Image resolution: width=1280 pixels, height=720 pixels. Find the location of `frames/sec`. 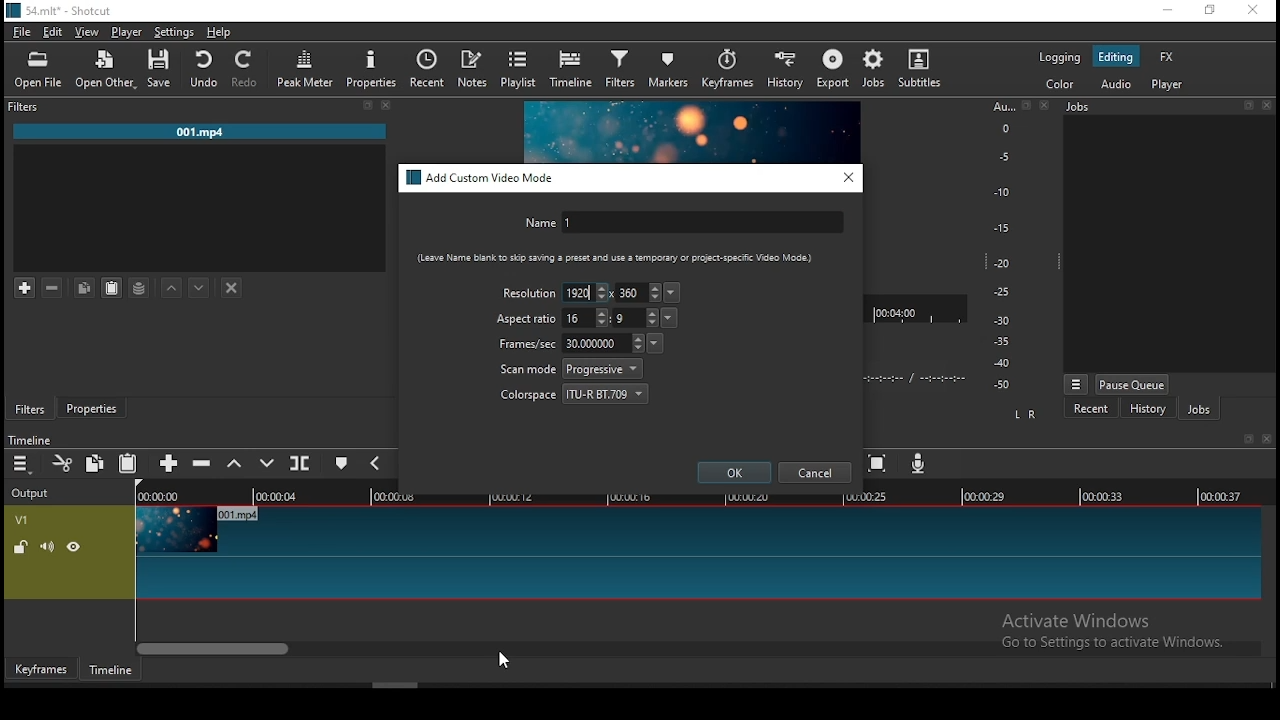

frames/sec is located at coordinates (569, 343).